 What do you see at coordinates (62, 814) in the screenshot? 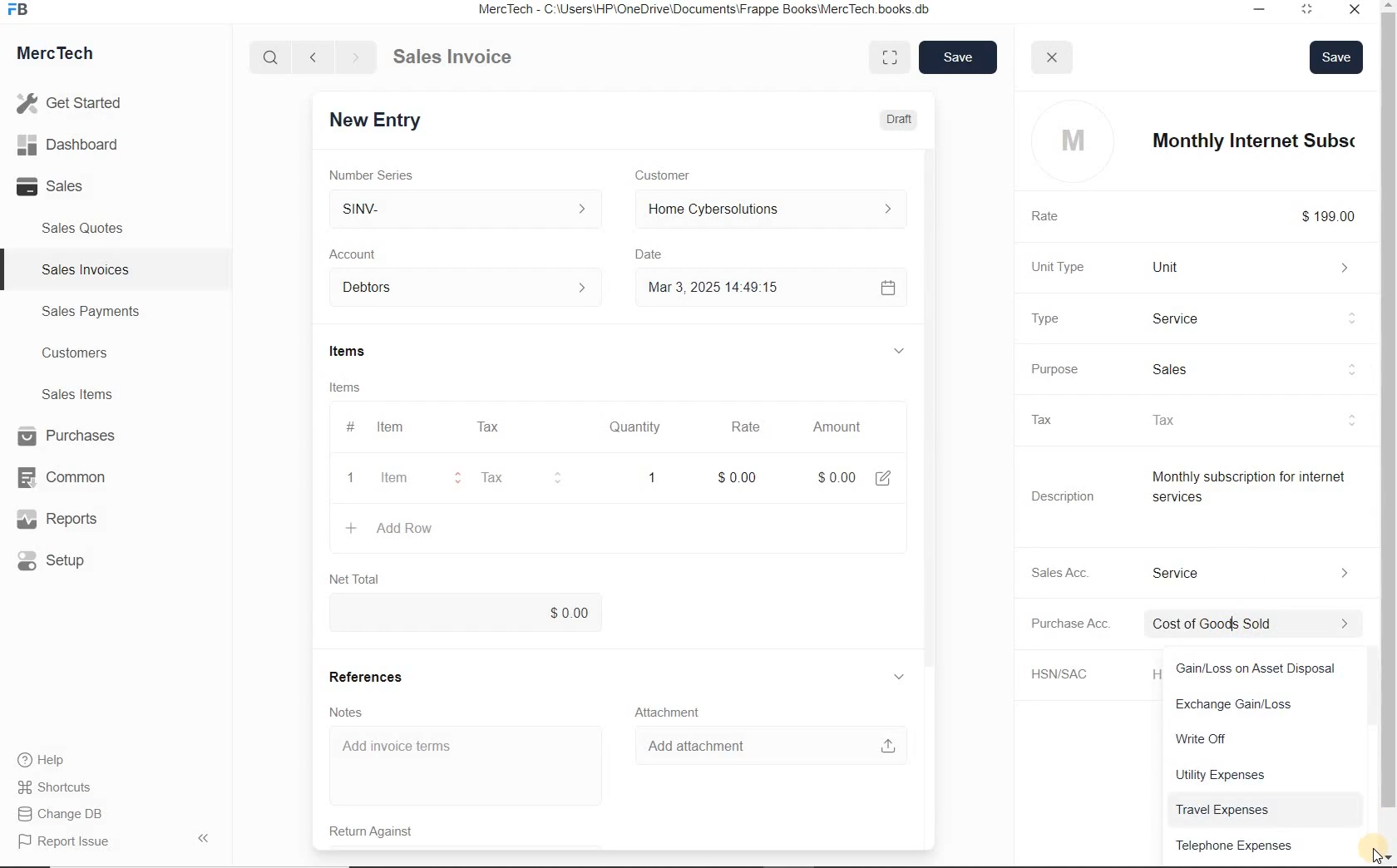
I see `Change DB` at bounding box center [62, 814].